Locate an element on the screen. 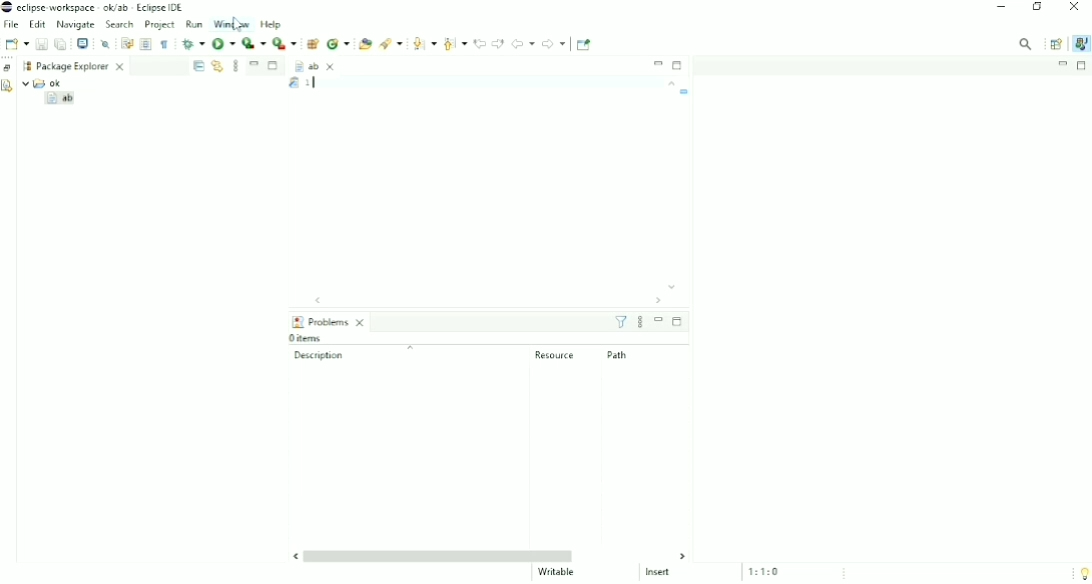  New Java Package is located at coordinates (312, 43).